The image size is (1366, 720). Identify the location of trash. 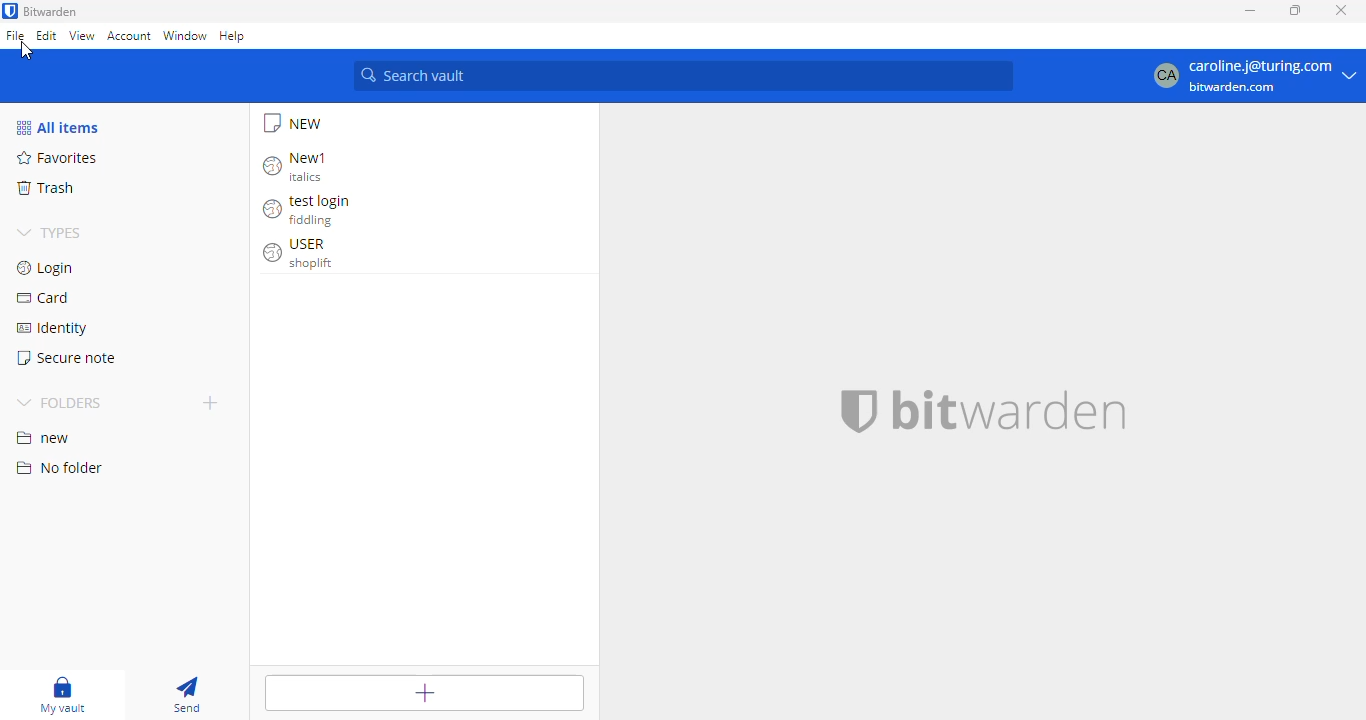
(44, 188).